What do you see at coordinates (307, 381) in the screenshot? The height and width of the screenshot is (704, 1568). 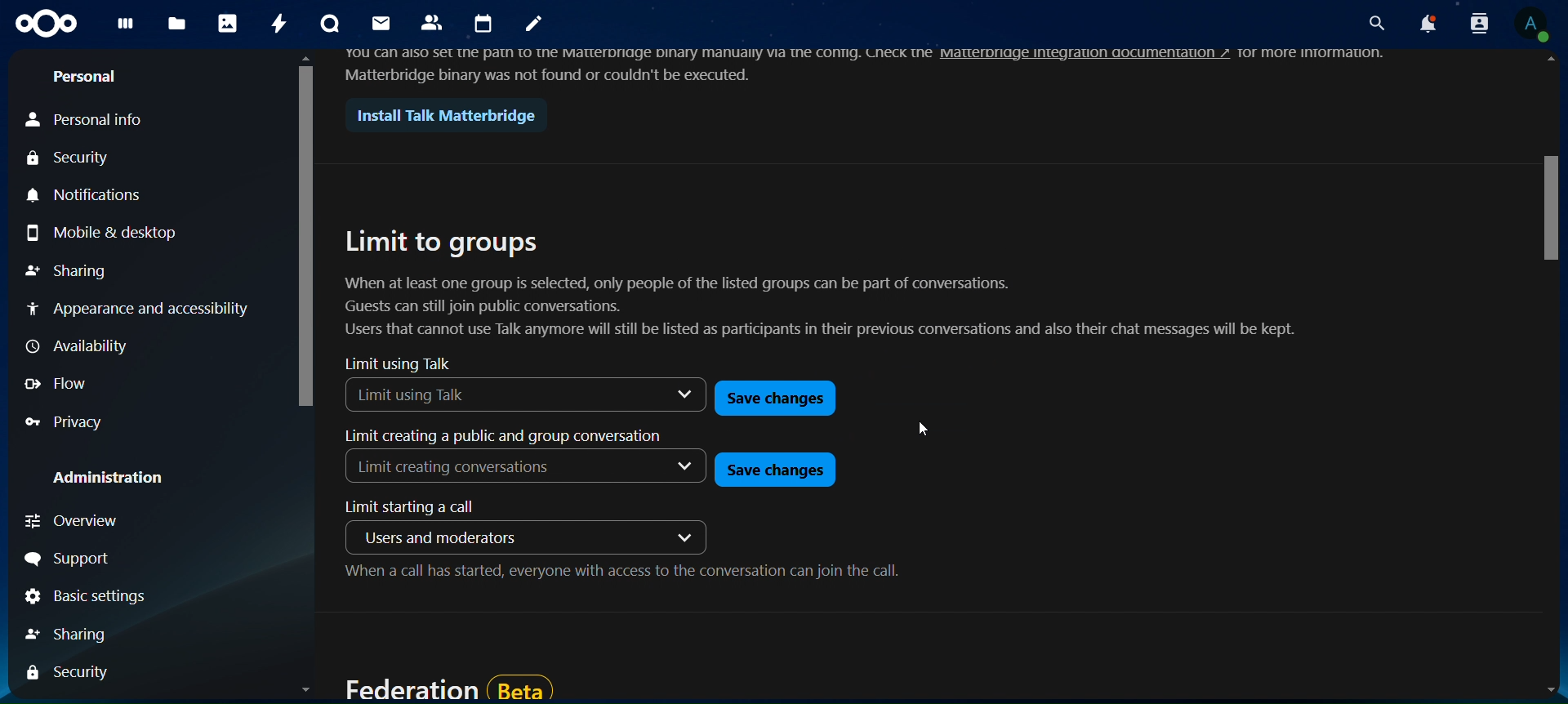 I see `scroll bar` at bounding box center [307, 381].